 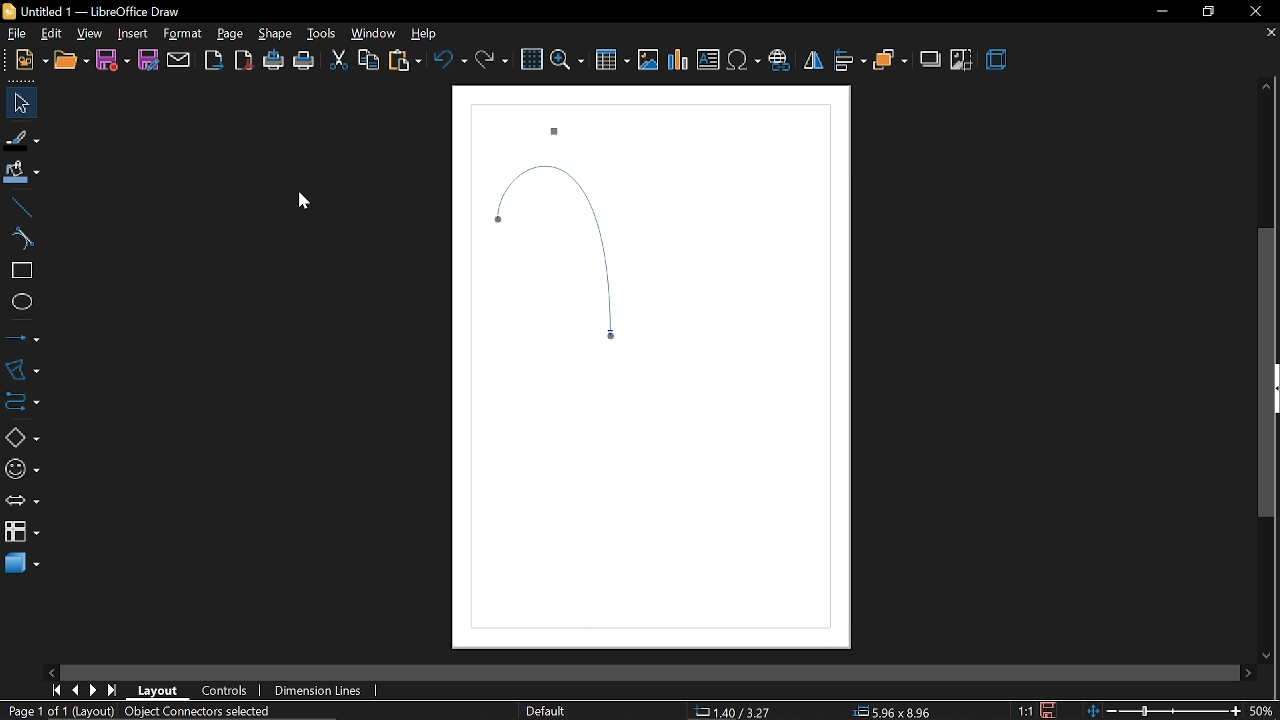 What do you see at coordinates (24, 62) in the screenshot?
I see `new` at bounding box center [24, 62].